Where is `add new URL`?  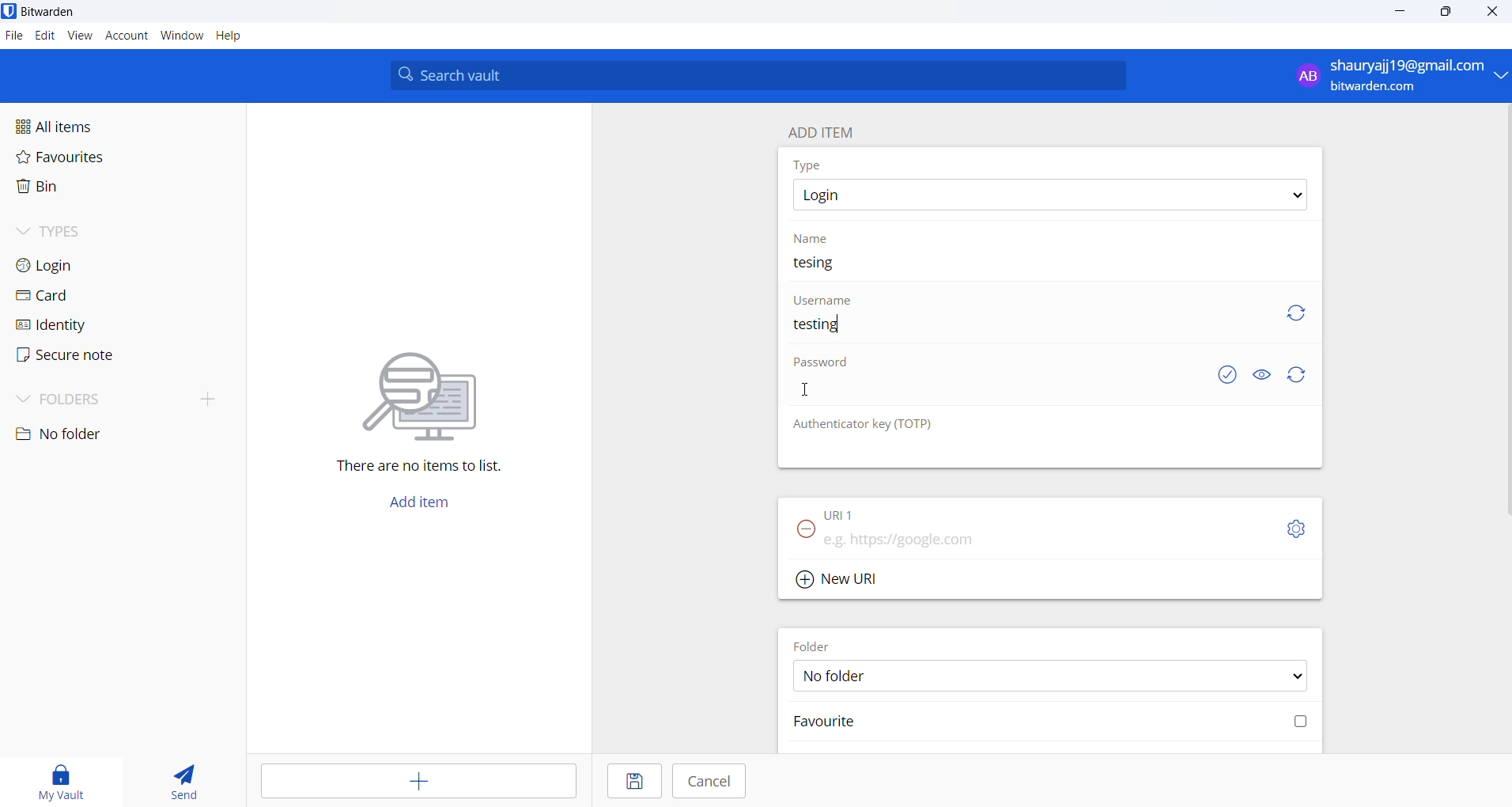 add new URL is located at coordinates (845, 578).